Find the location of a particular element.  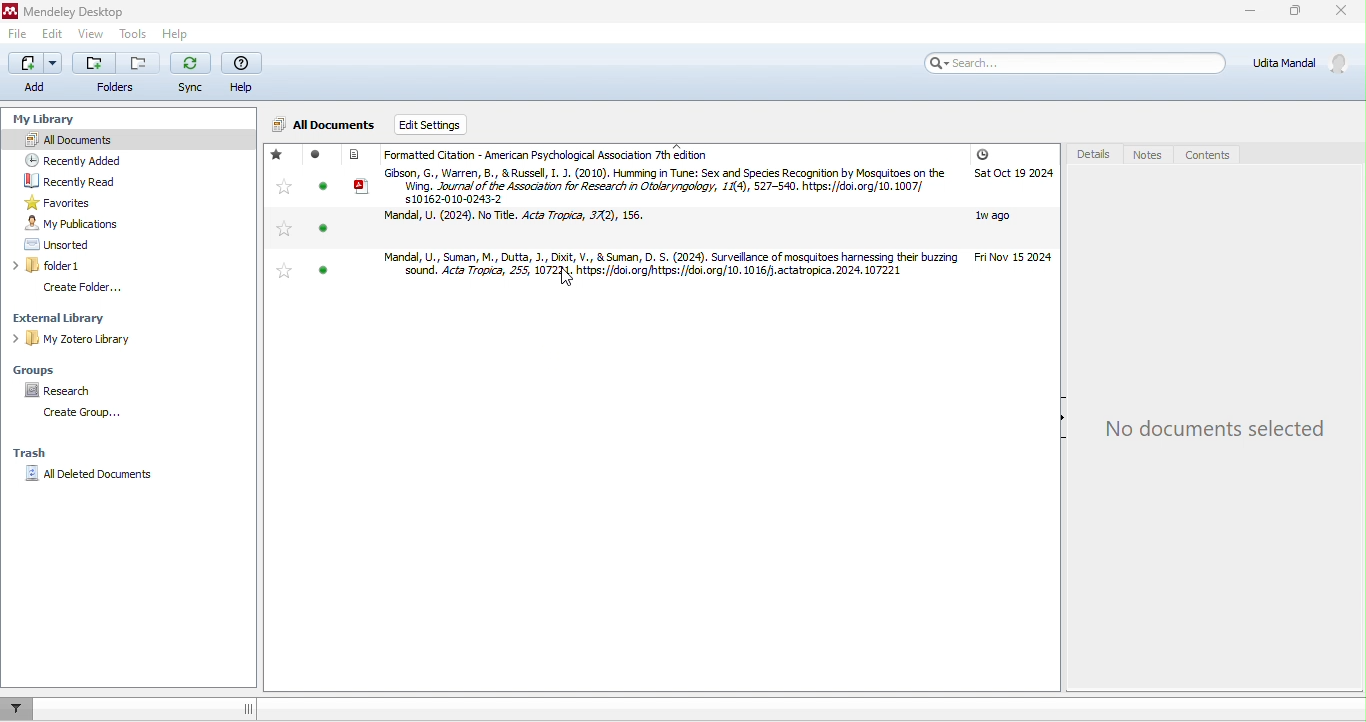

edit settings is located at coordinates (451, 123).